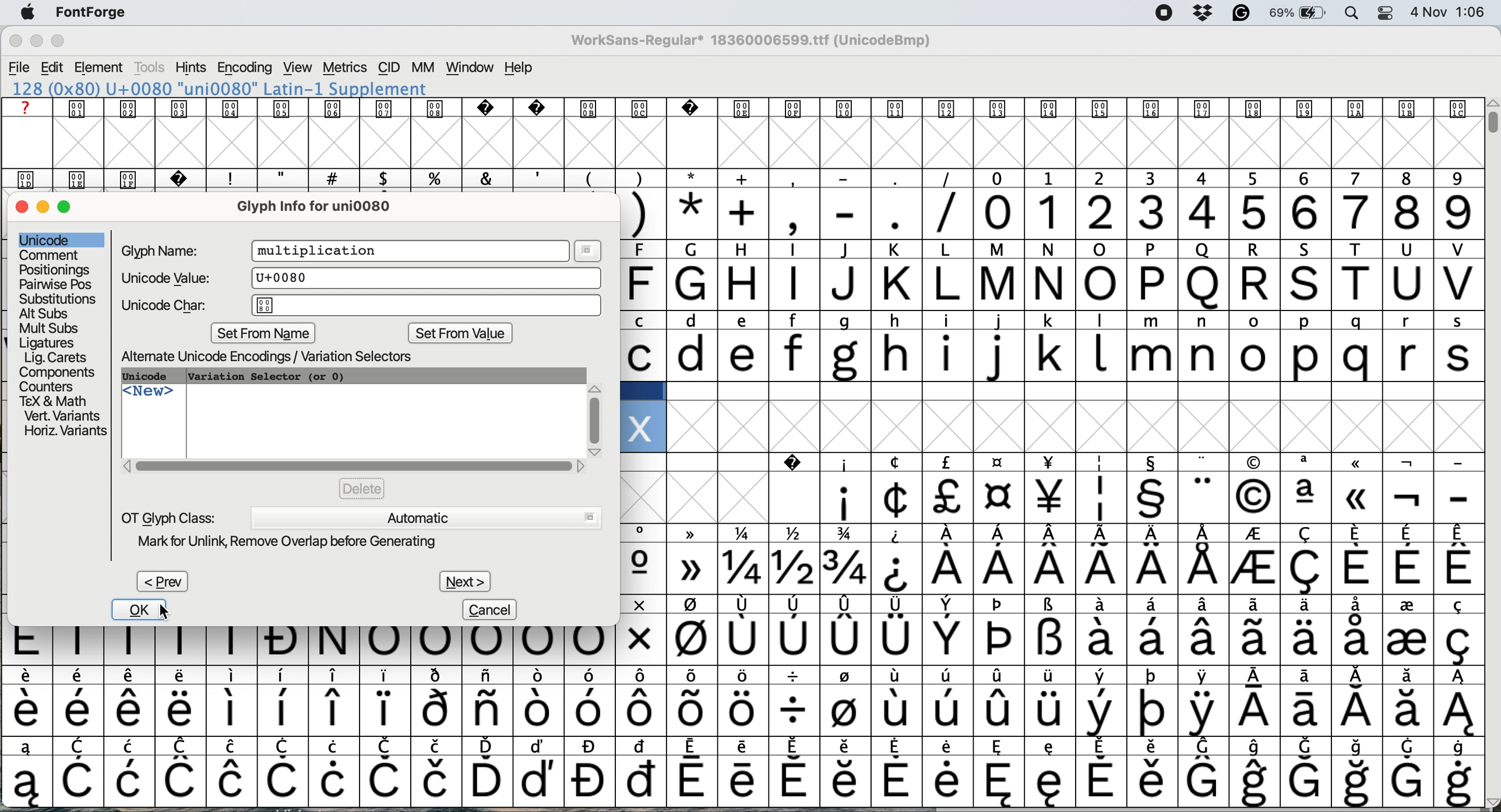 The image size is (1501, 812). Describe the element at coordinates (464, 578) in the screenshot. I see `next` at that location.